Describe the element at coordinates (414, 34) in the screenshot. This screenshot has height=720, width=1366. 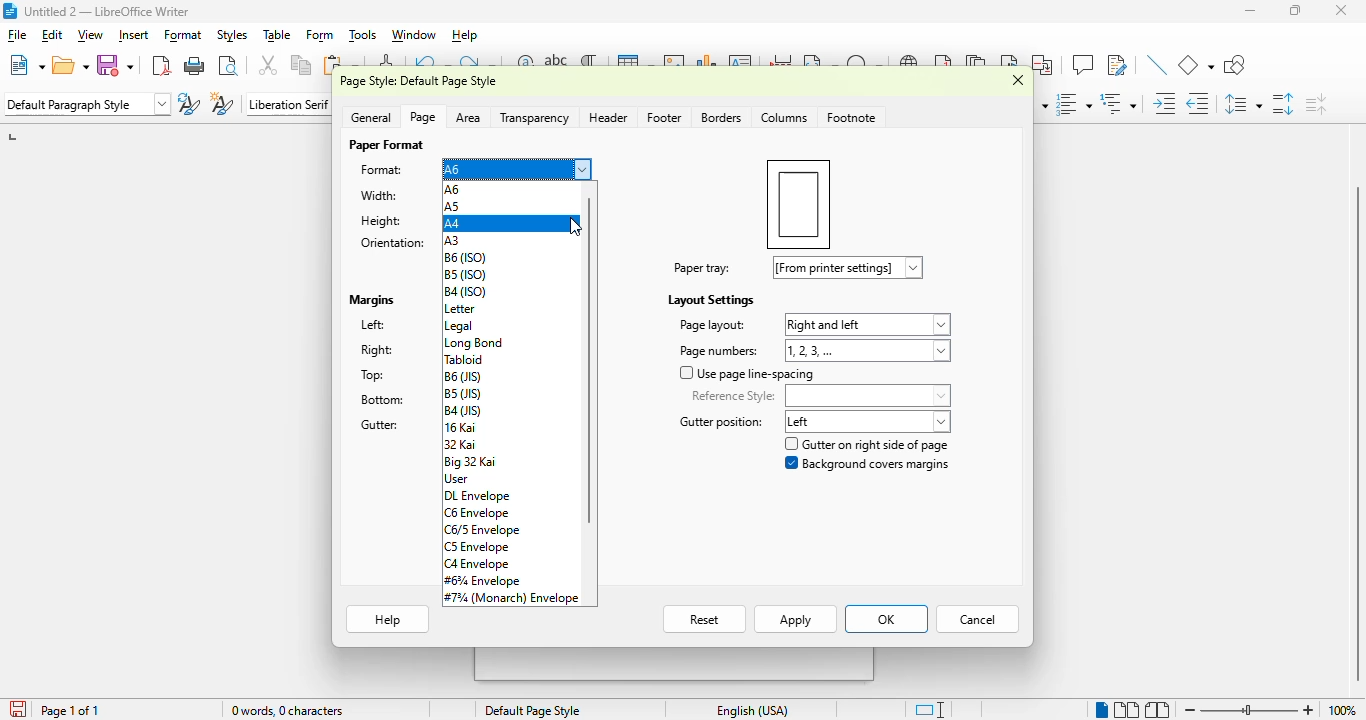
I see `window` at that location.